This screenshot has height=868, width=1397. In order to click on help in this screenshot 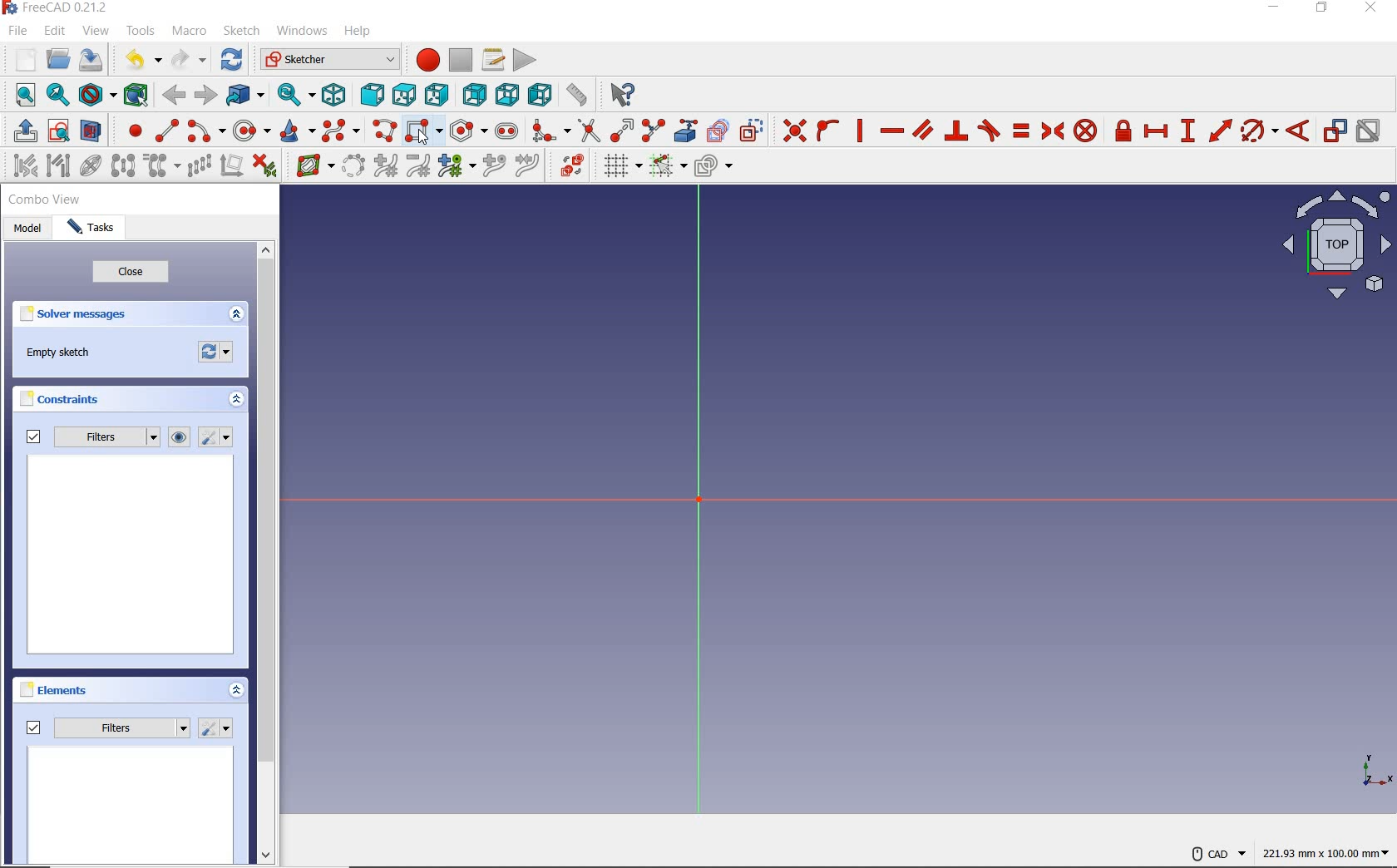, I will do `click(360, 33)`.